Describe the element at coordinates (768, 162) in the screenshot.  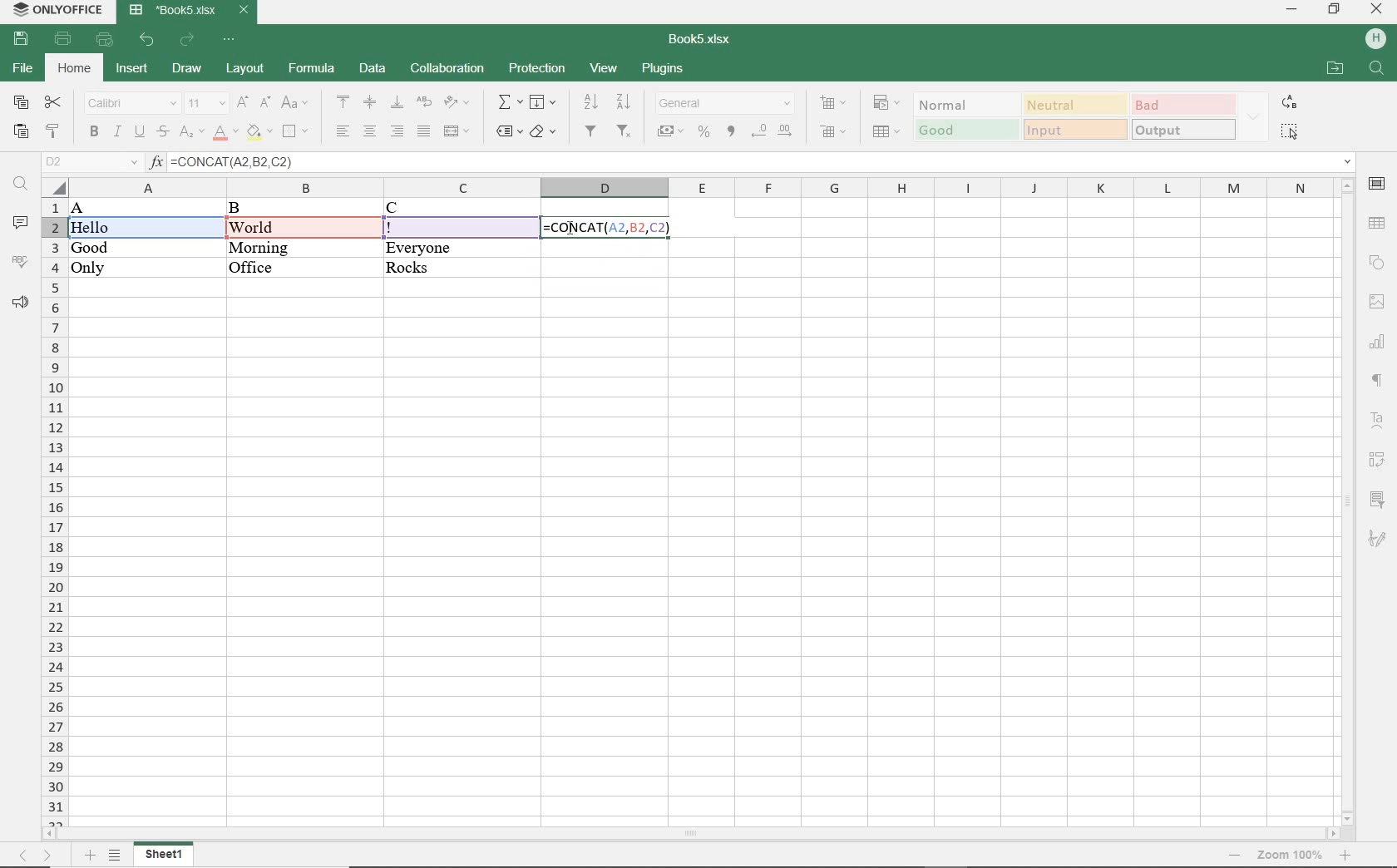
I see `=CONCAT(A2,B2,C2)` at that location.